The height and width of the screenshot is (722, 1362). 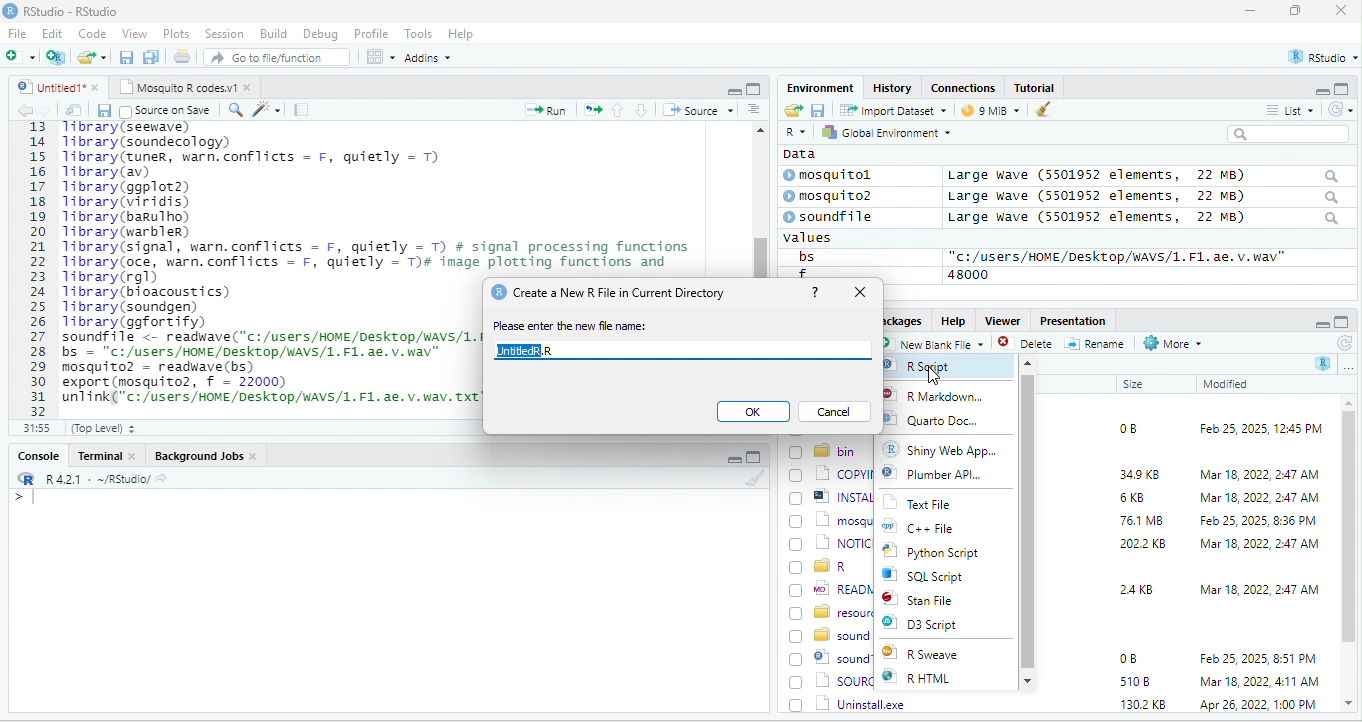 What do you see at coordinates (87, 481) in the screenshot?
I see `RR R421 - ~/RStudio/` at bounding box center [87, 481].